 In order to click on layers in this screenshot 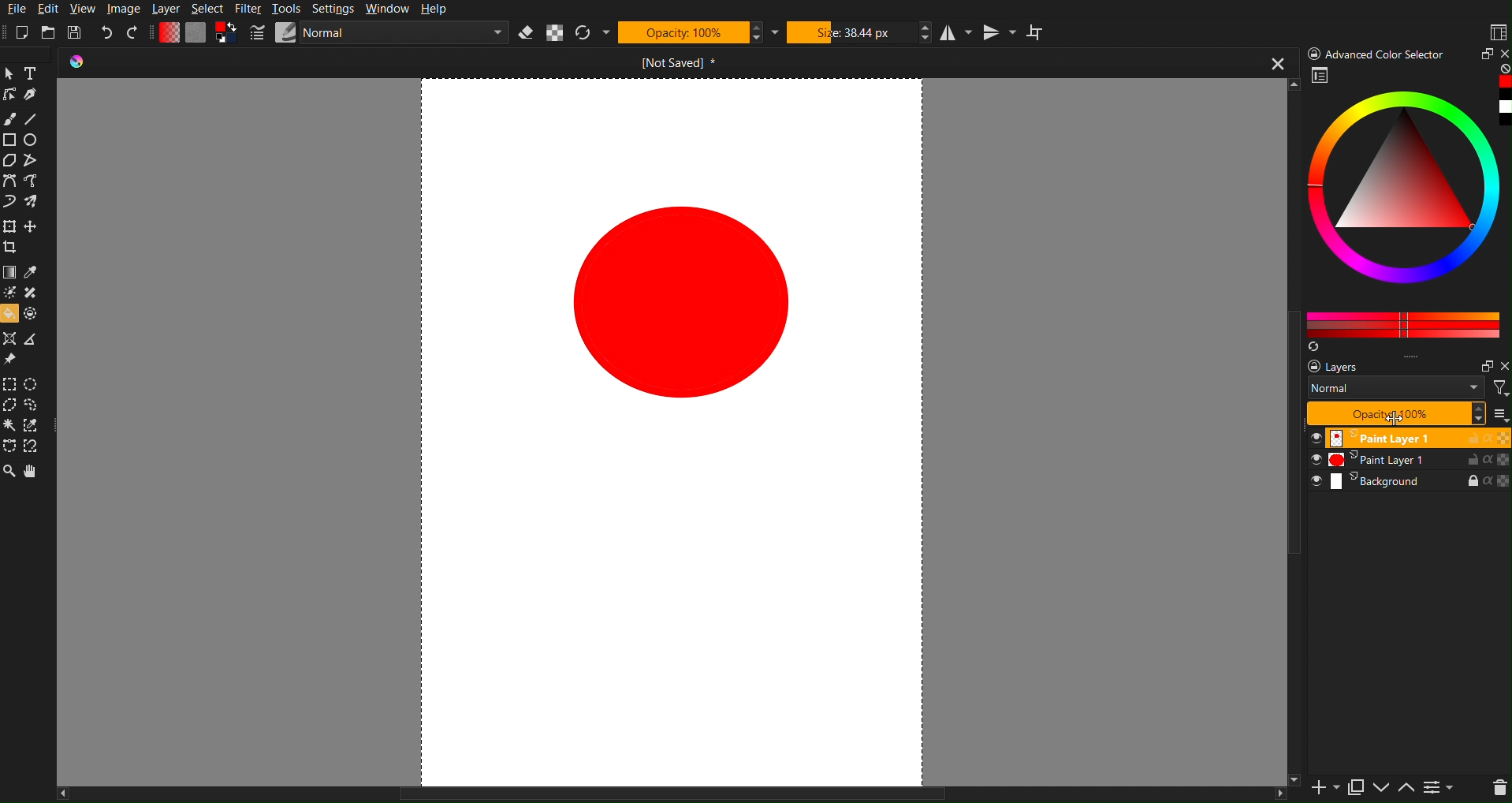, I will do `click(1332, 365)`.